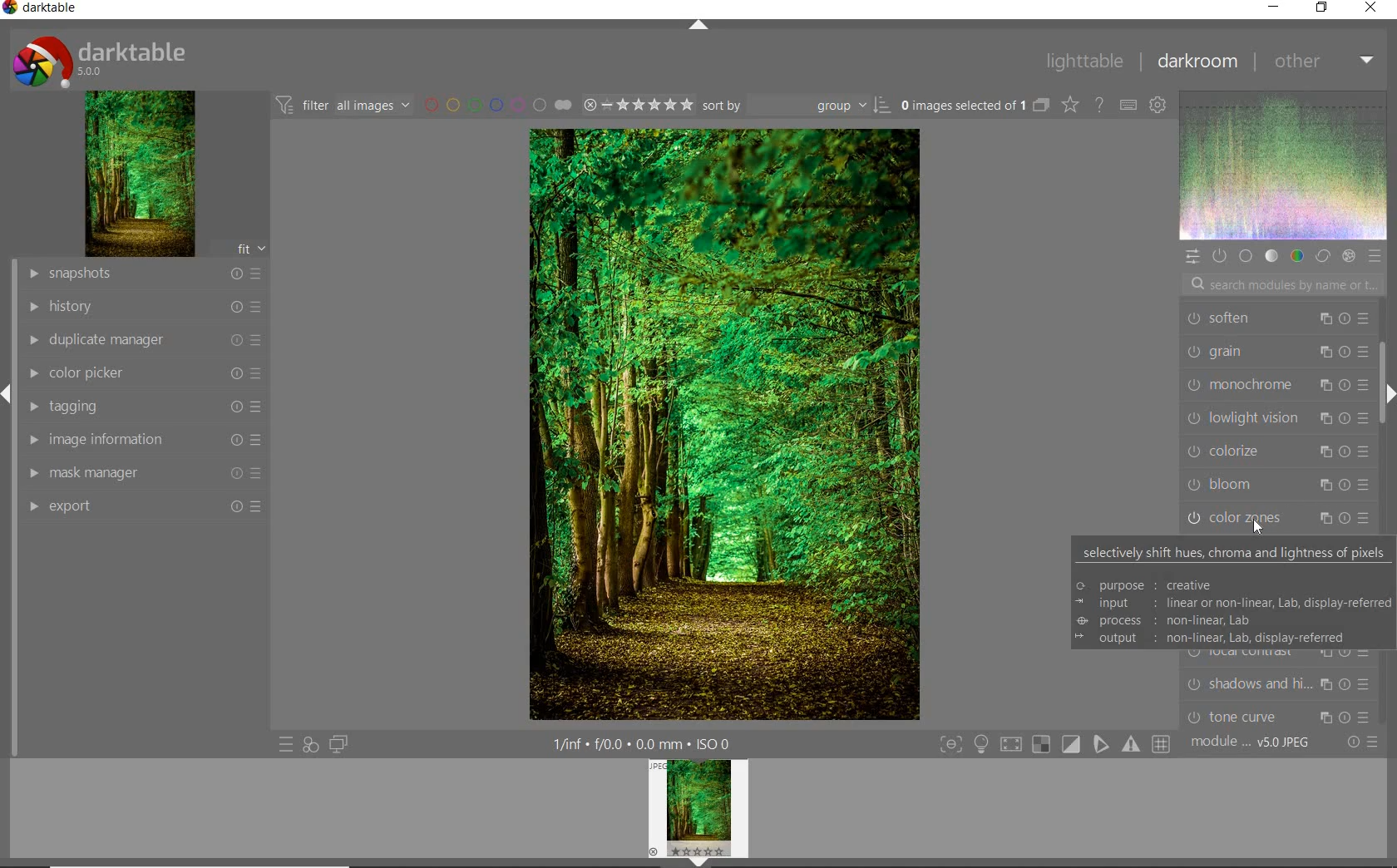 The height and width of the screenshot is (868, 1397). Describe the element at coordinates (141, 308) in the screenshot. I see `HISTORY` at that location.